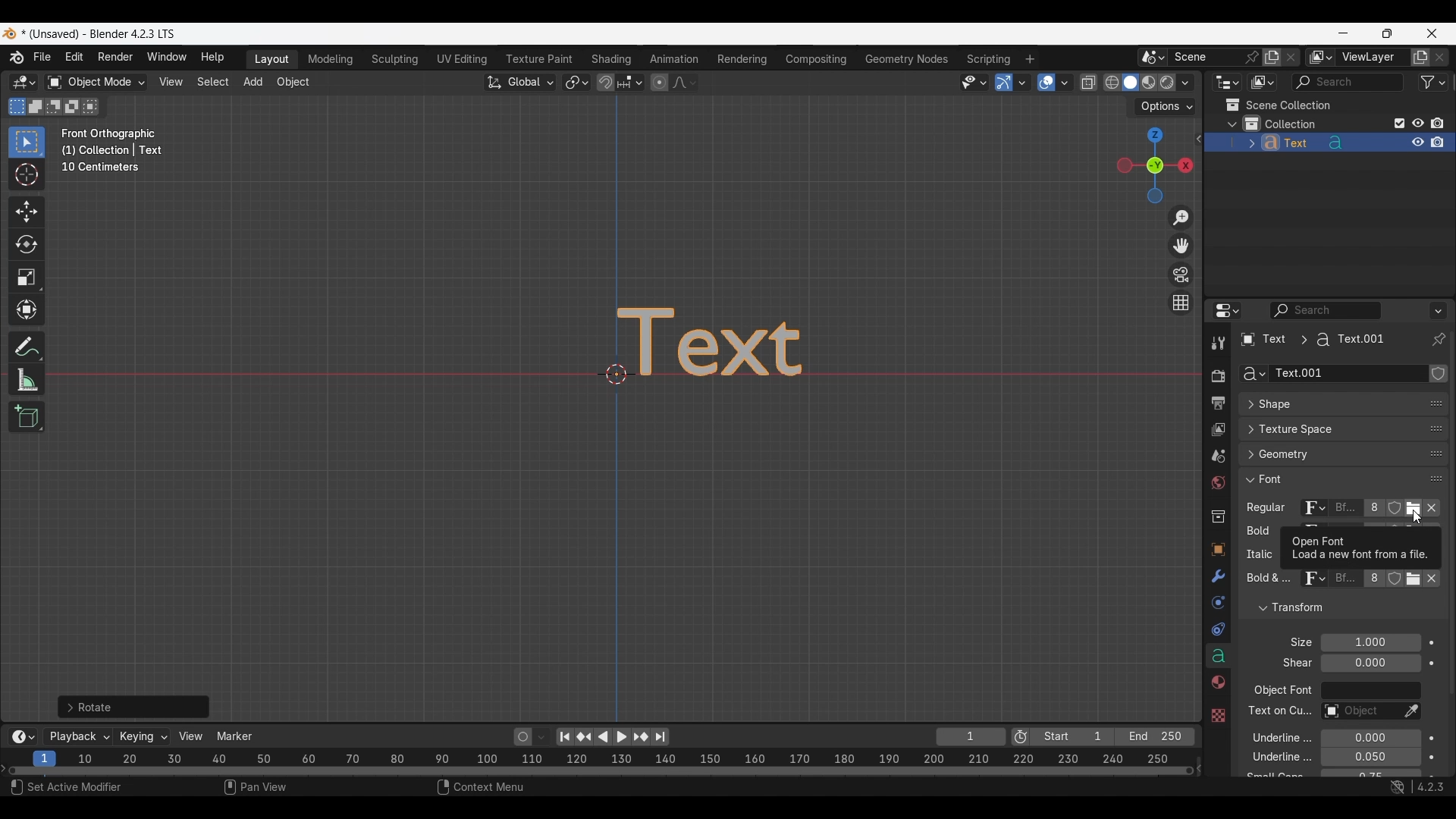 The height and width of the screenshot is (819, 1456). Describe the element at coordinates (1151, 165) in the screenshot. I see `Click to use a preset viewport` at that location.